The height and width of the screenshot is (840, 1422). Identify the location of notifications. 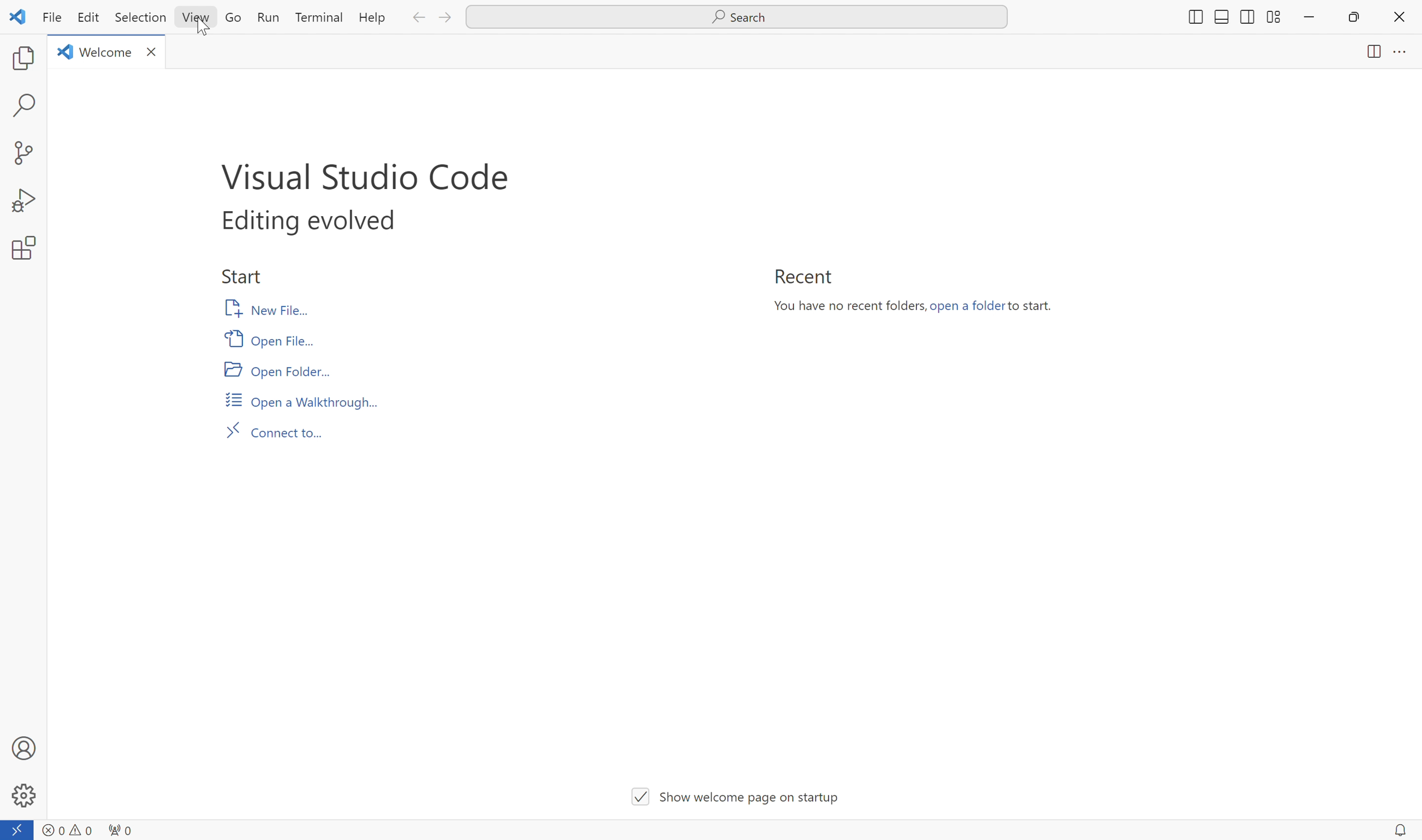
(1400, 830).